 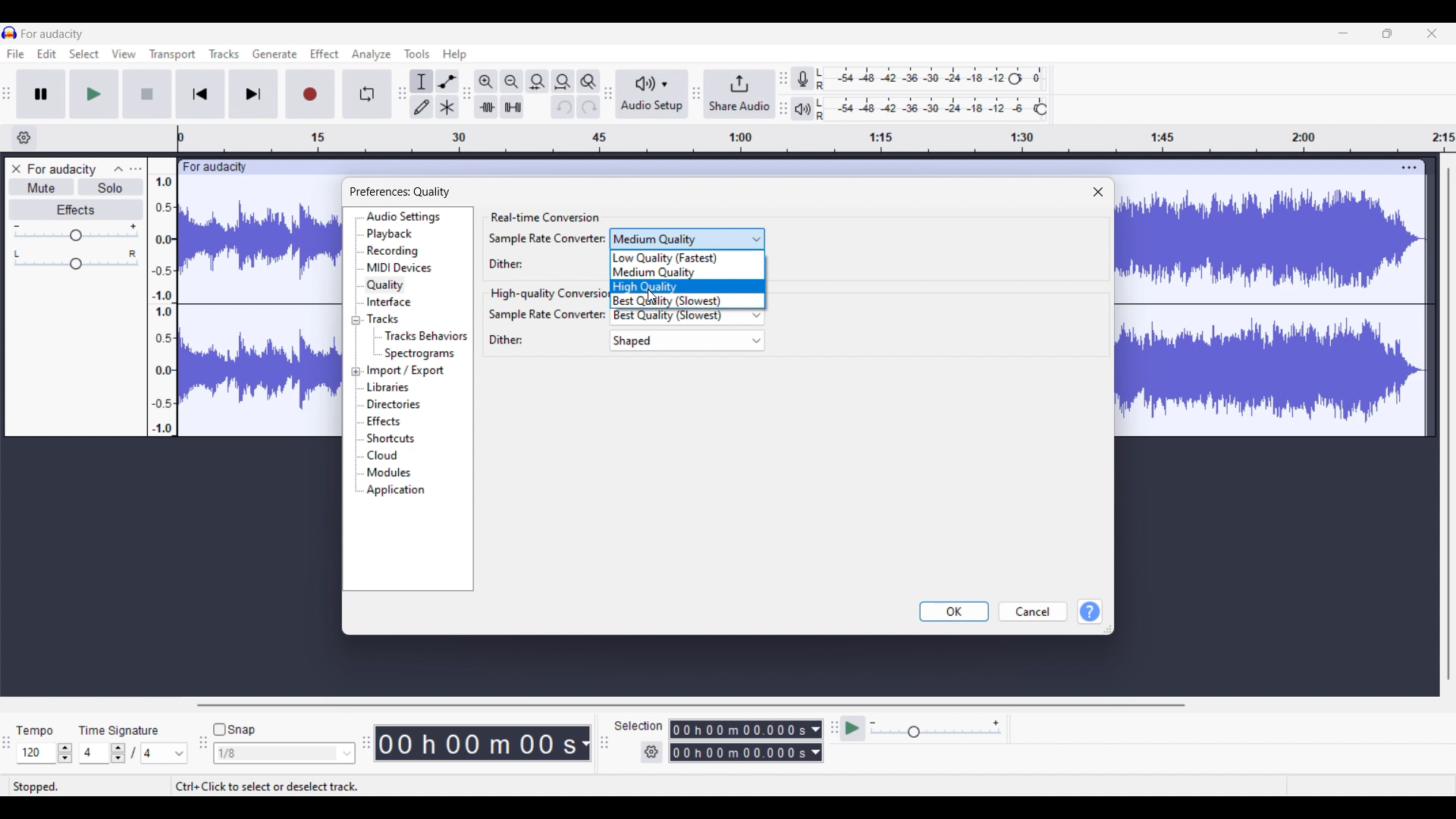 I want to click on Playback, so click(x=390, y=234).